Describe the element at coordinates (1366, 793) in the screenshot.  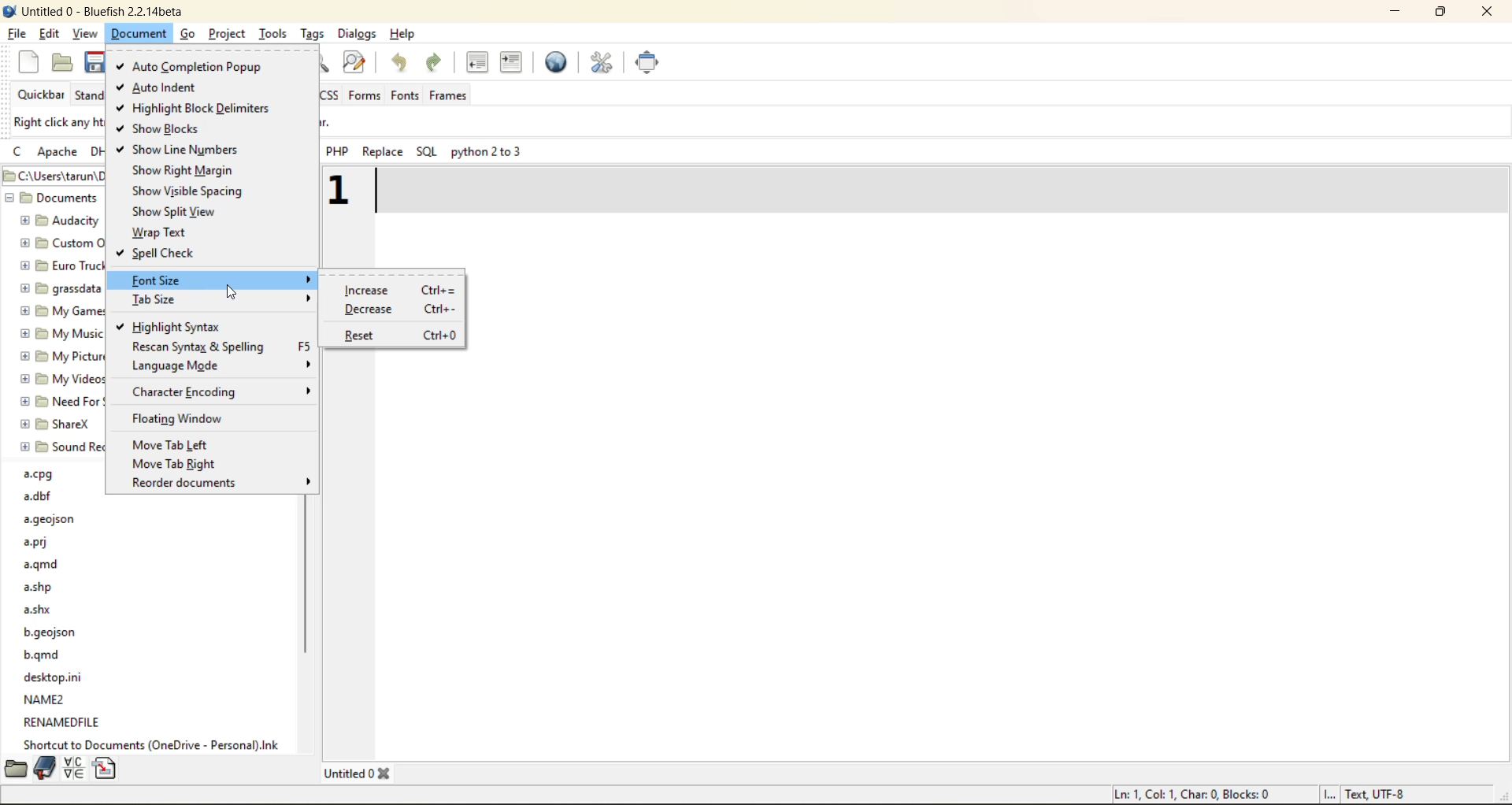
I see `I... Text UTF-8 ` at that location.